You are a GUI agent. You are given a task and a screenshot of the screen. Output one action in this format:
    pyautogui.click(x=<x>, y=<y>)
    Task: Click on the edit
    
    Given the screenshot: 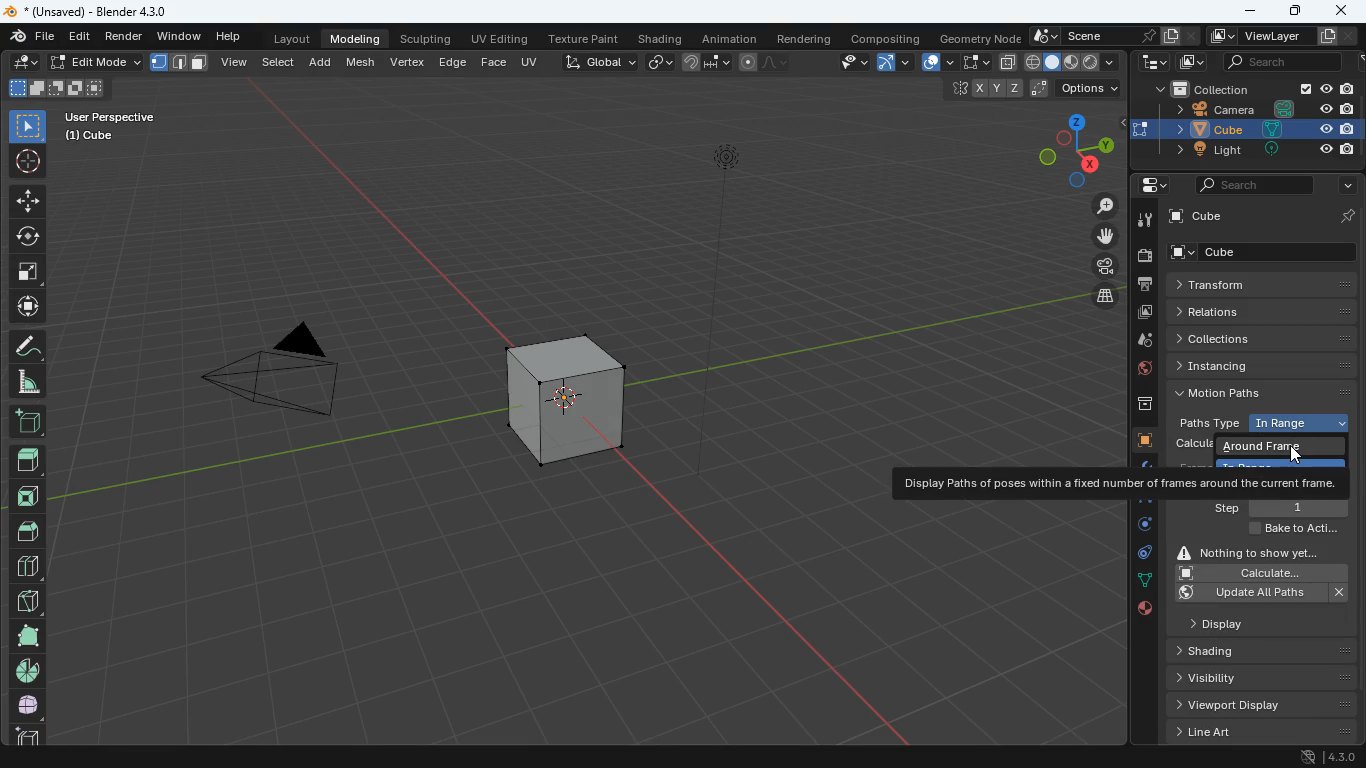 What is the action you would take?
    pyautogui.click(x=26, y=63)
    